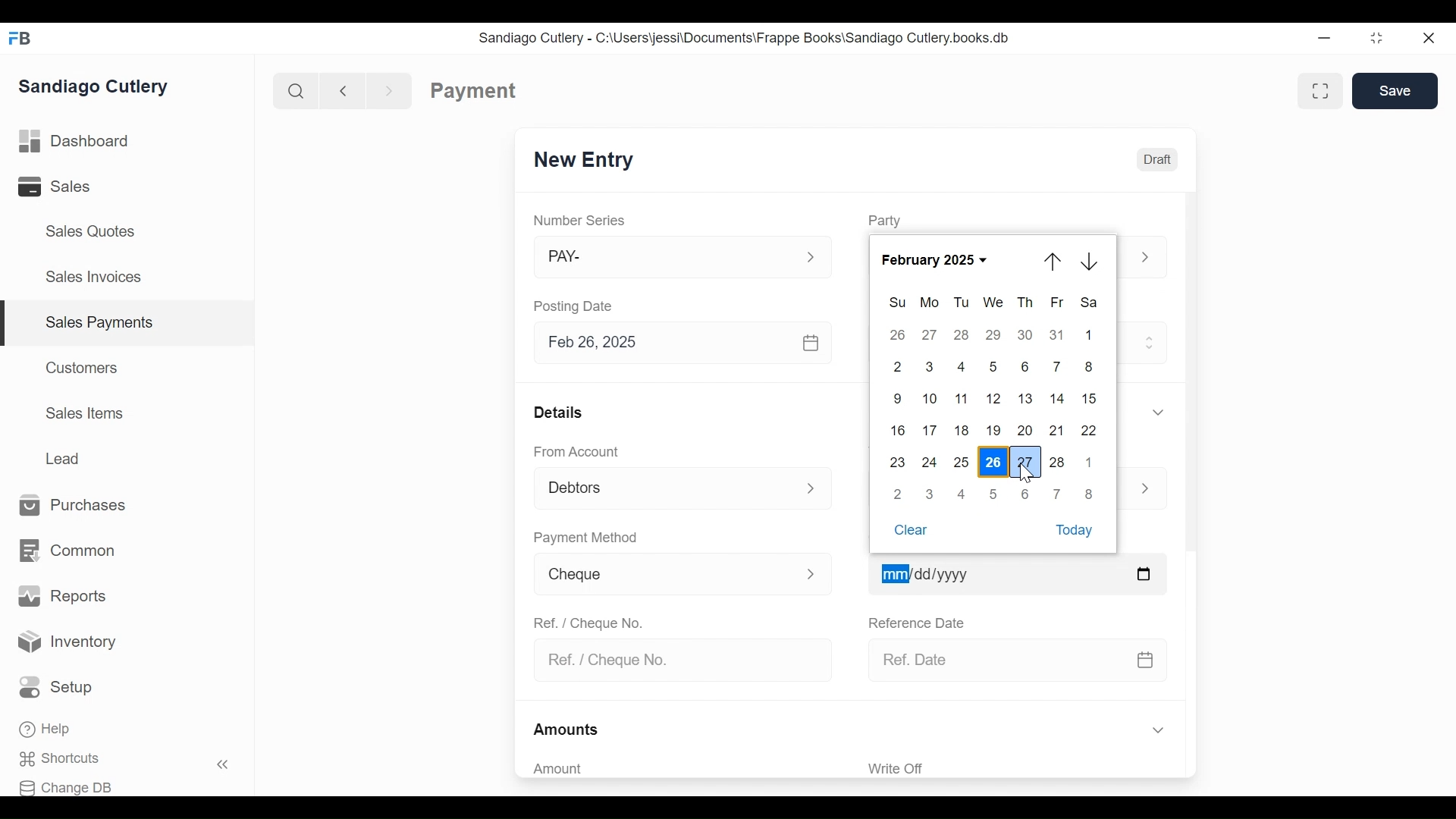 The height and width of the screenshot is (819, 1456). What do you see at coordinates (896, 335) in the screenshot?
I see `26` at bounding box center [896, 335].